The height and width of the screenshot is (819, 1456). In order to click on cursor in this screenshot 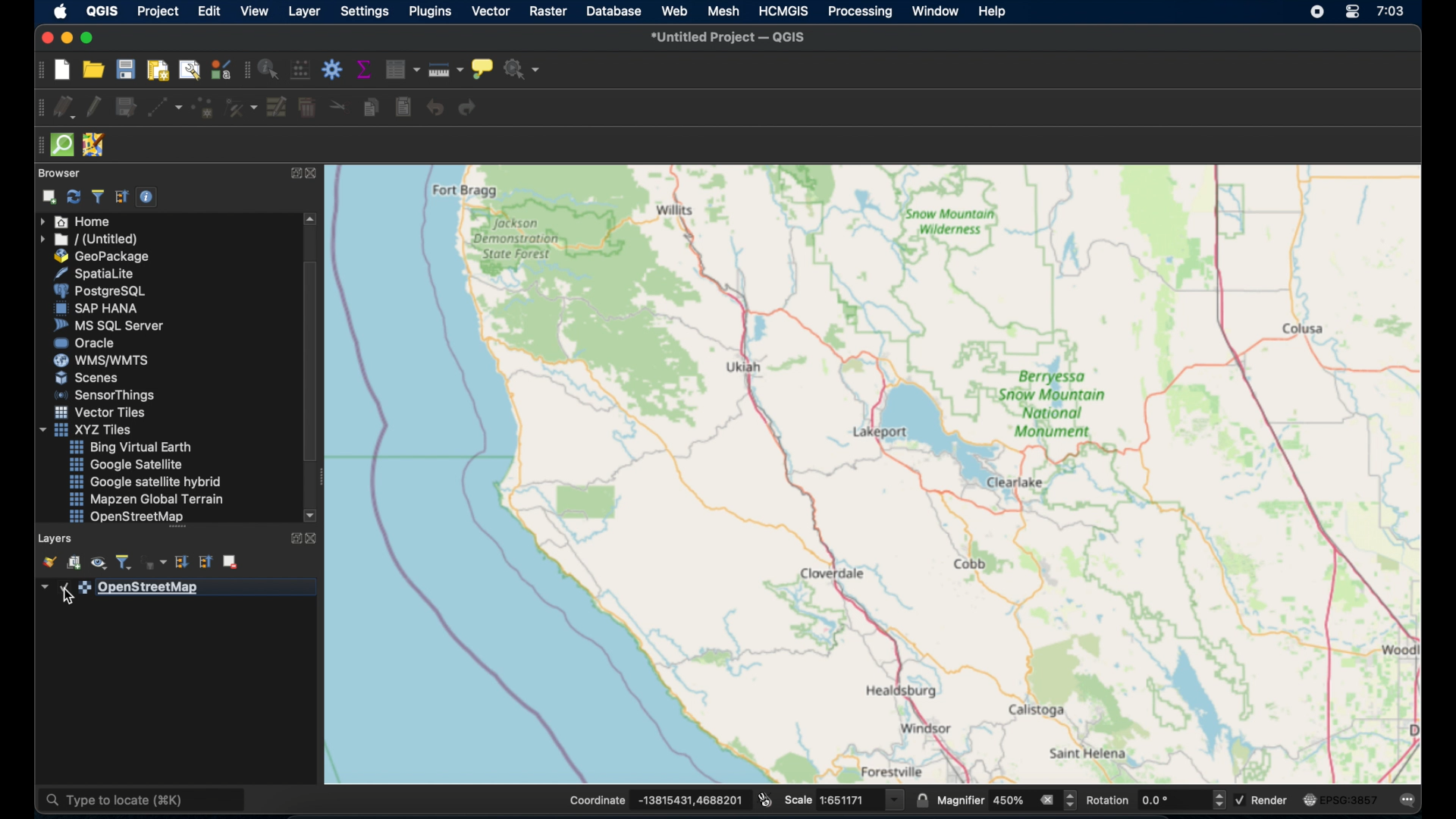, I will do `click(65, 602)`.